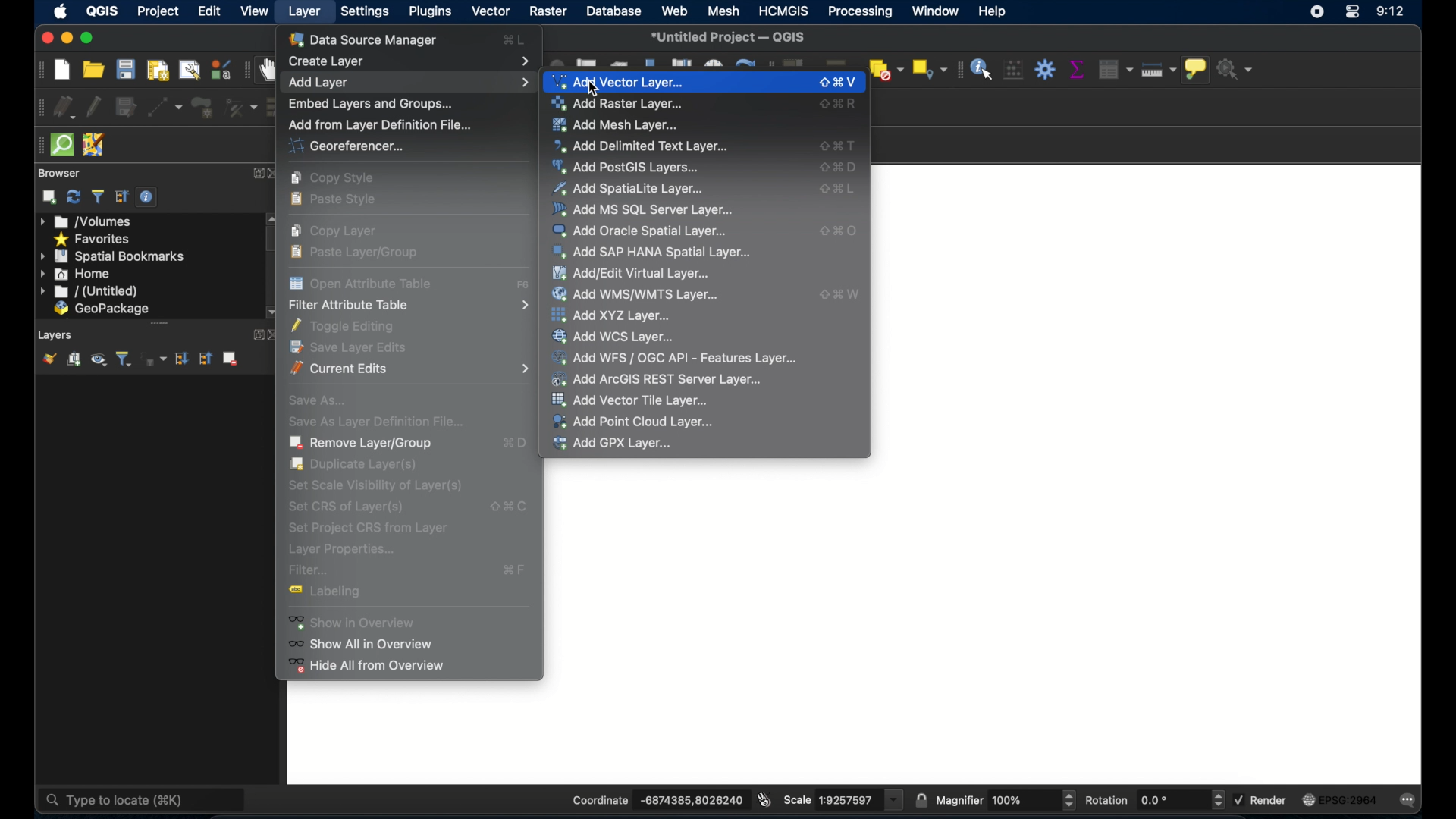 The image size is (1456, 819). I want to click on measure line, so click(1159, 71).